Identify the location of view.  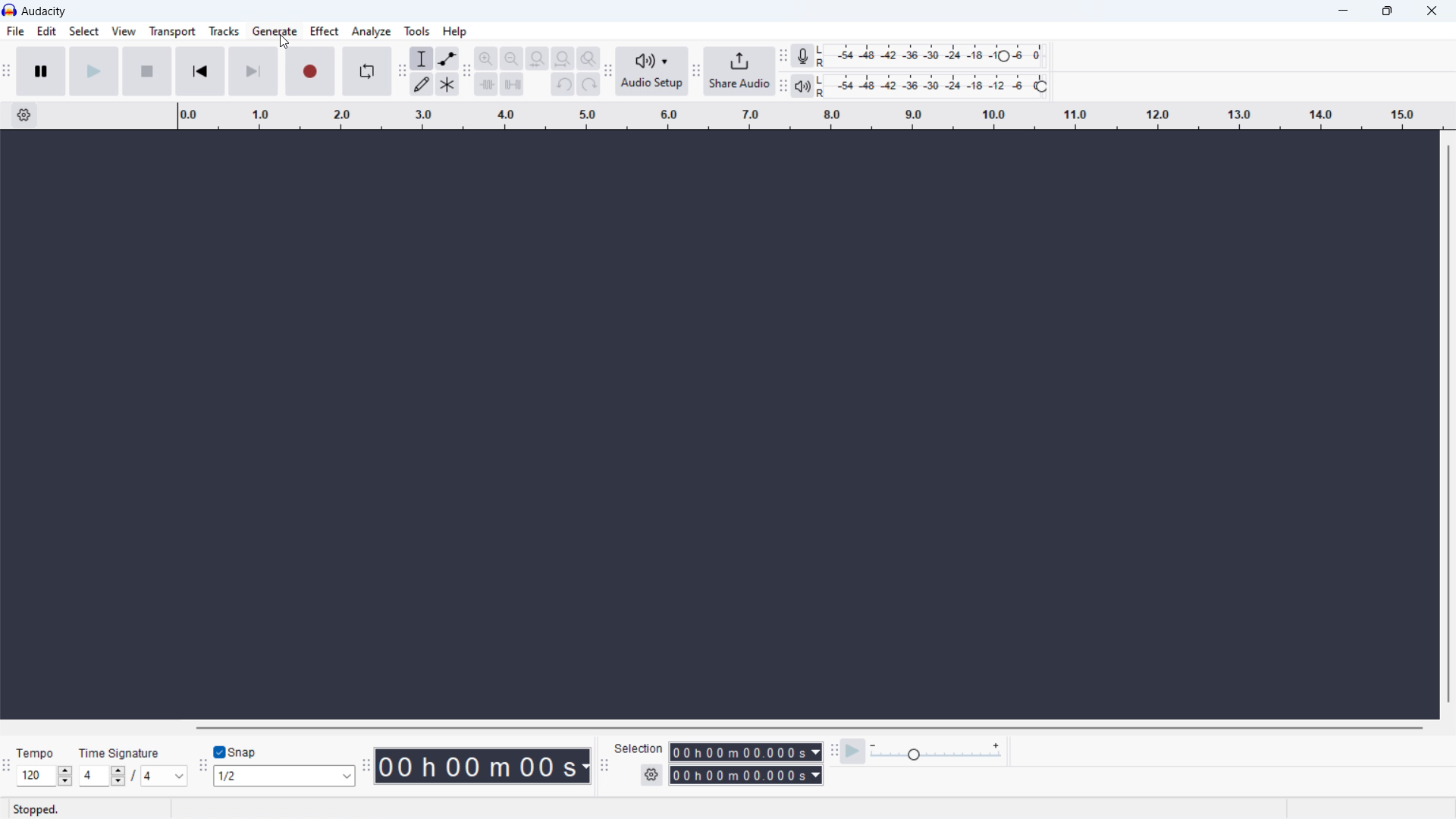
(123, 31).